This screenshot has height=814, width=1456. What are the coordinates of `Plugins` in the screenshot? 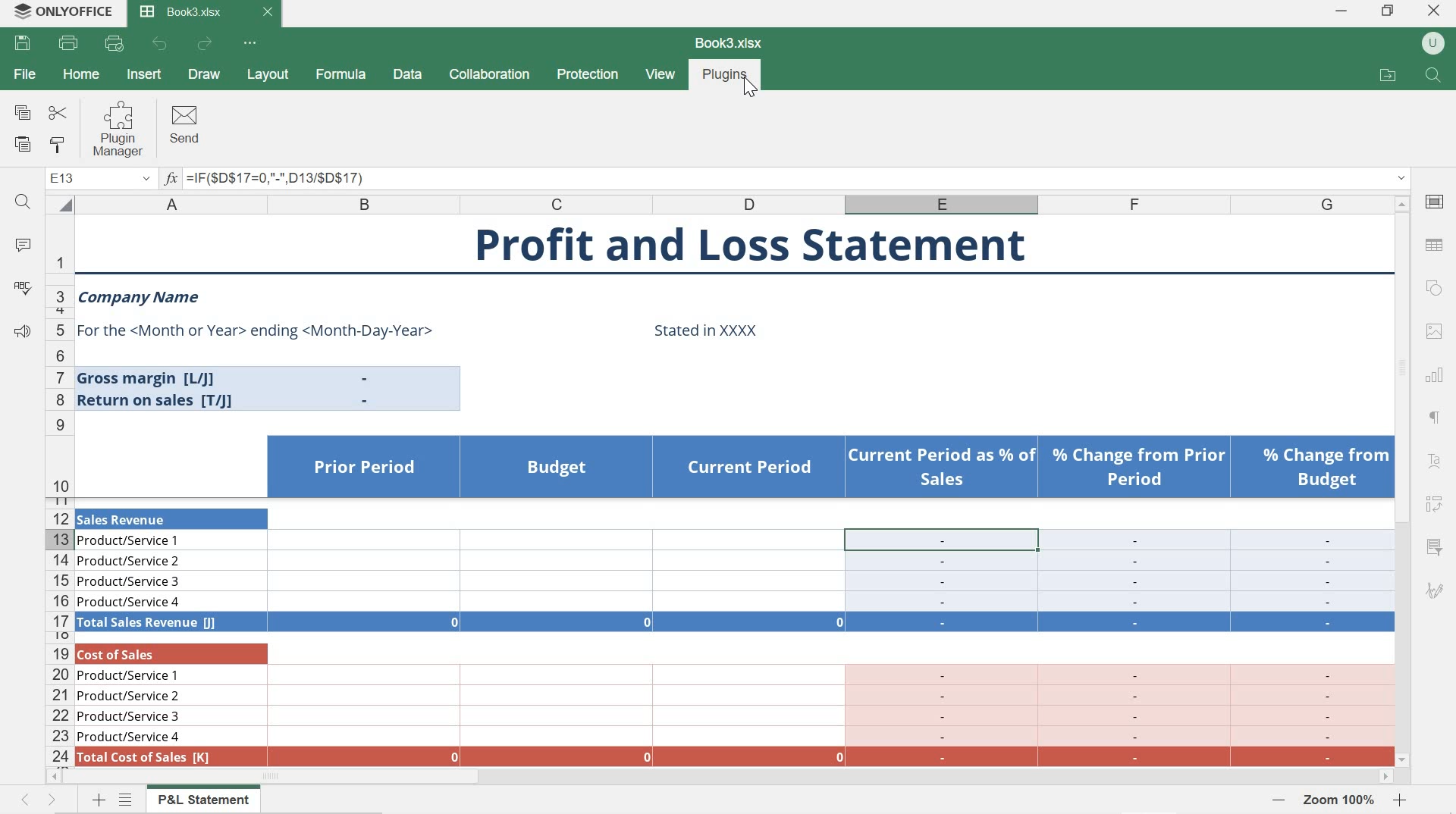 It's located at (725, 74).